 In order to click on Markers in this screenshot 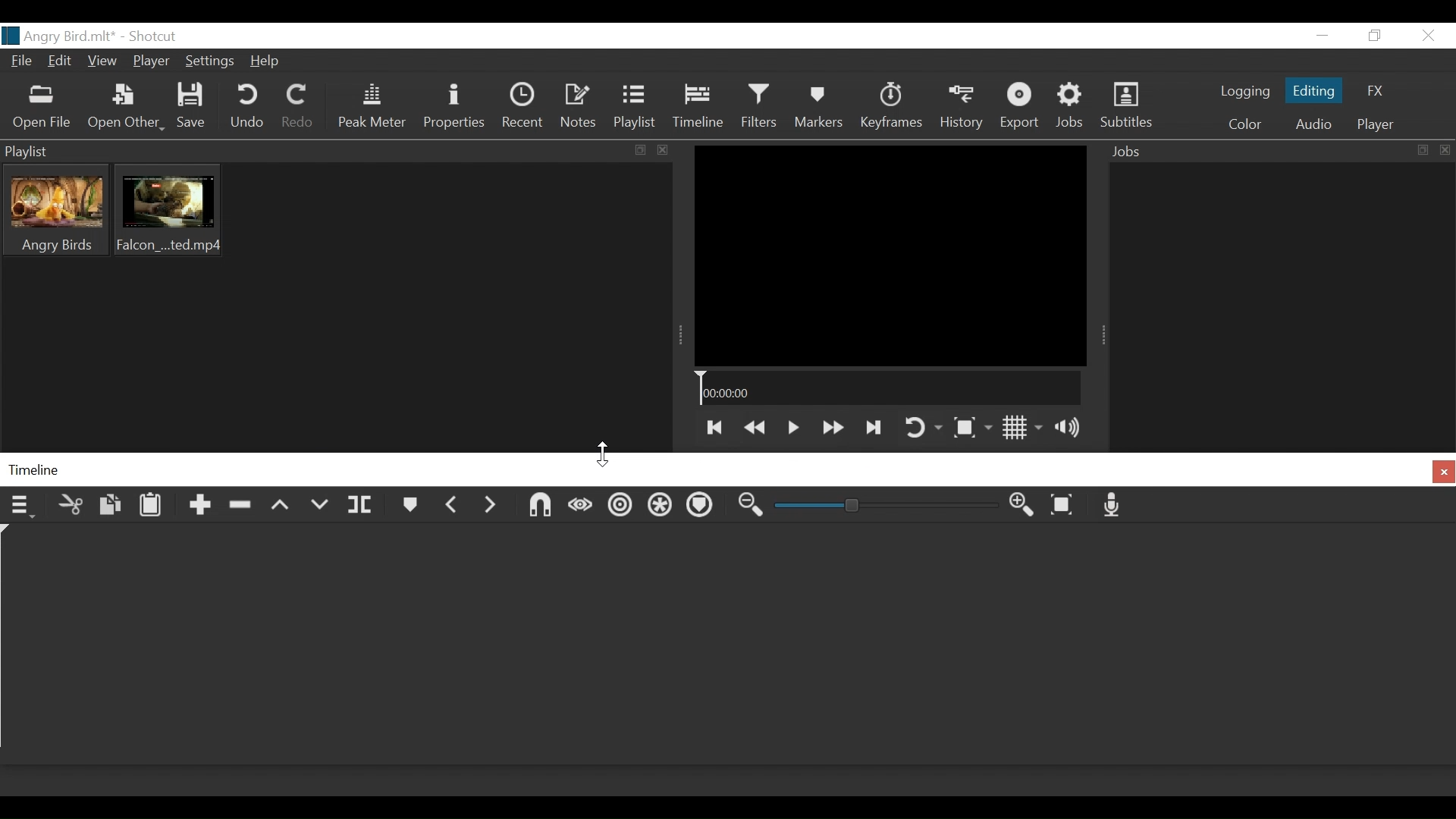, I will do `click(408, 507)`.